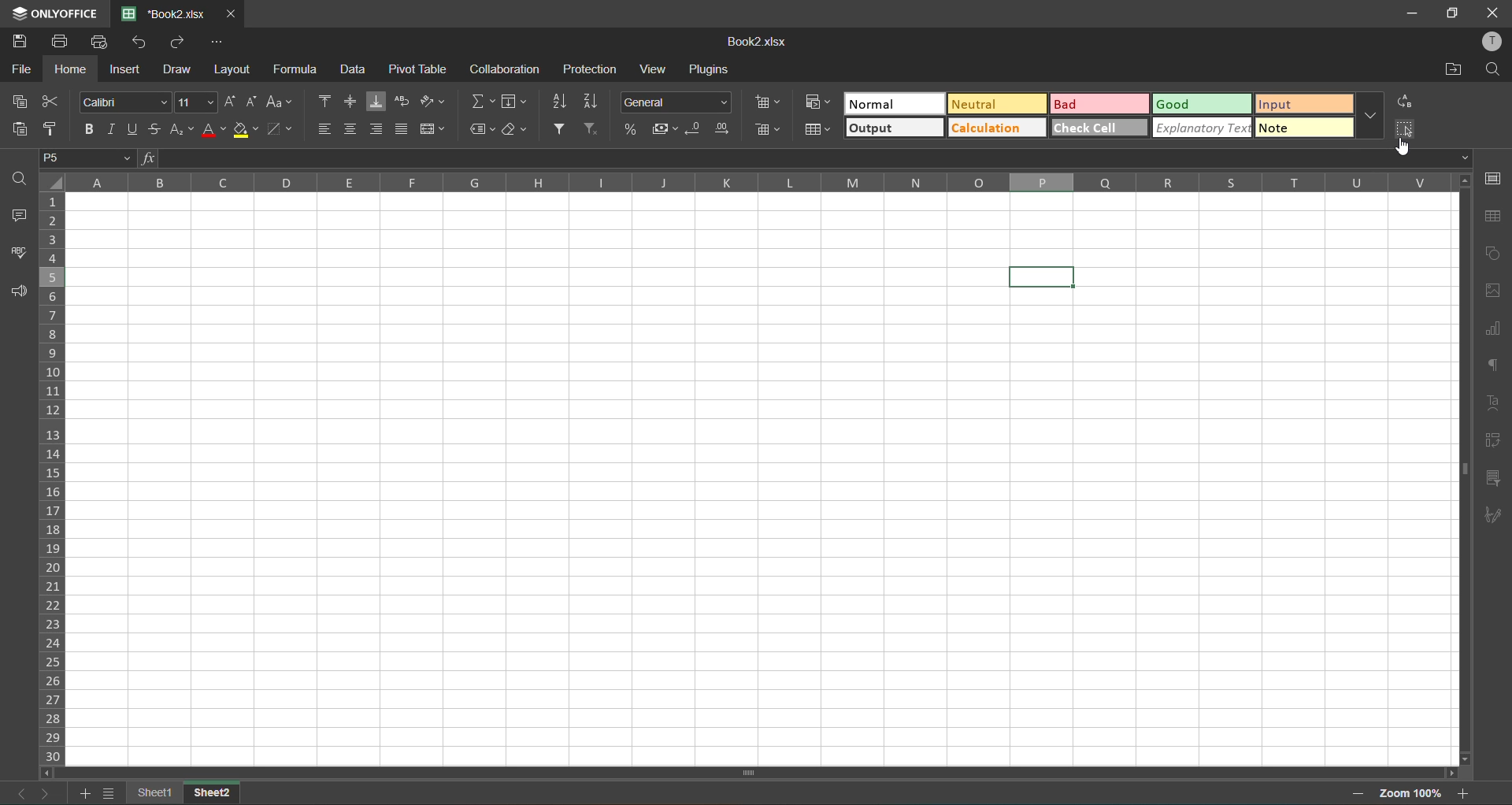 This screenshot has width=1512, height=805. I want to click on clear filter, so click(595, 131).